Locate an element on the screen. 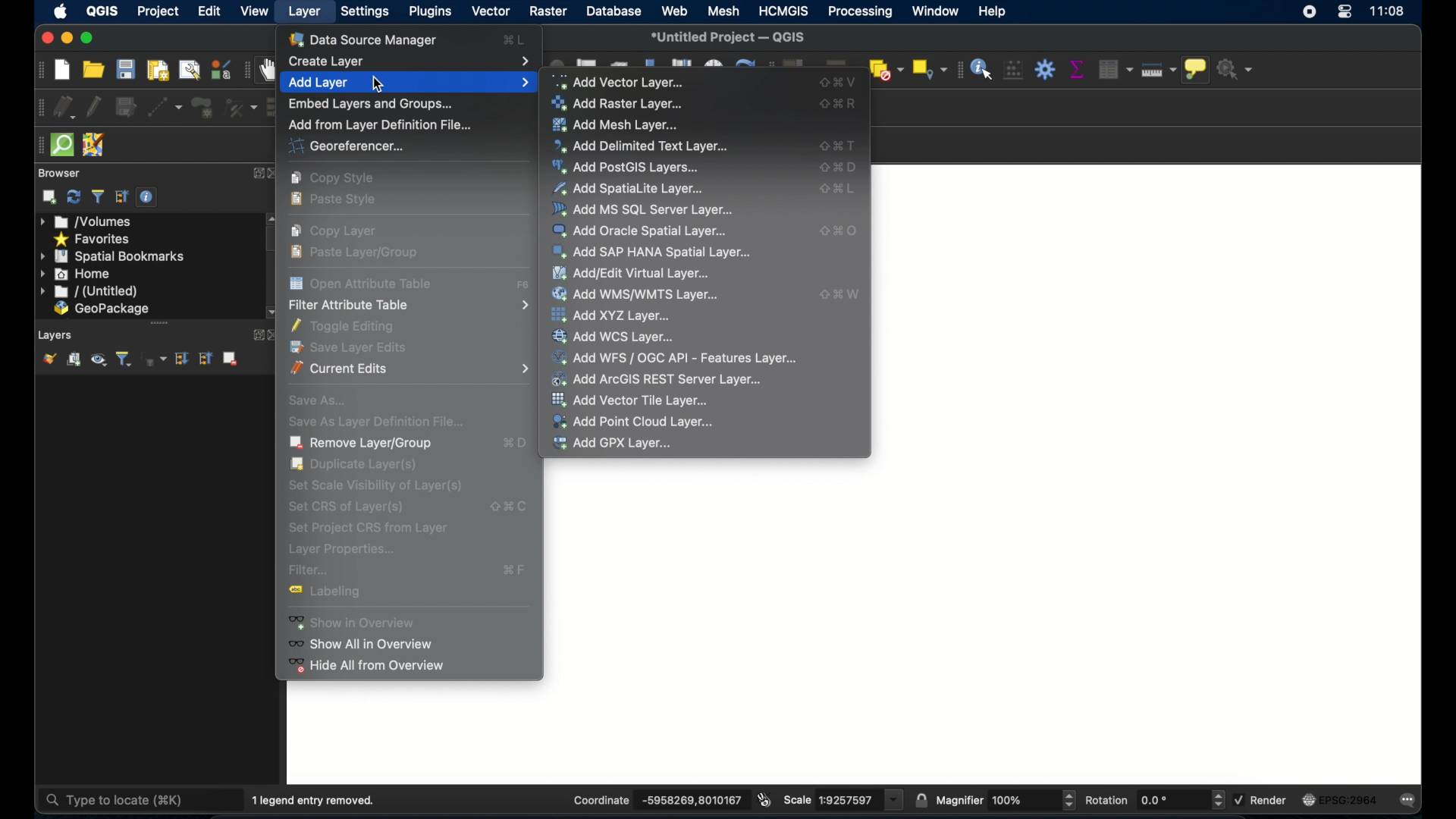  open attribute table is located at coordinates (362, 282).